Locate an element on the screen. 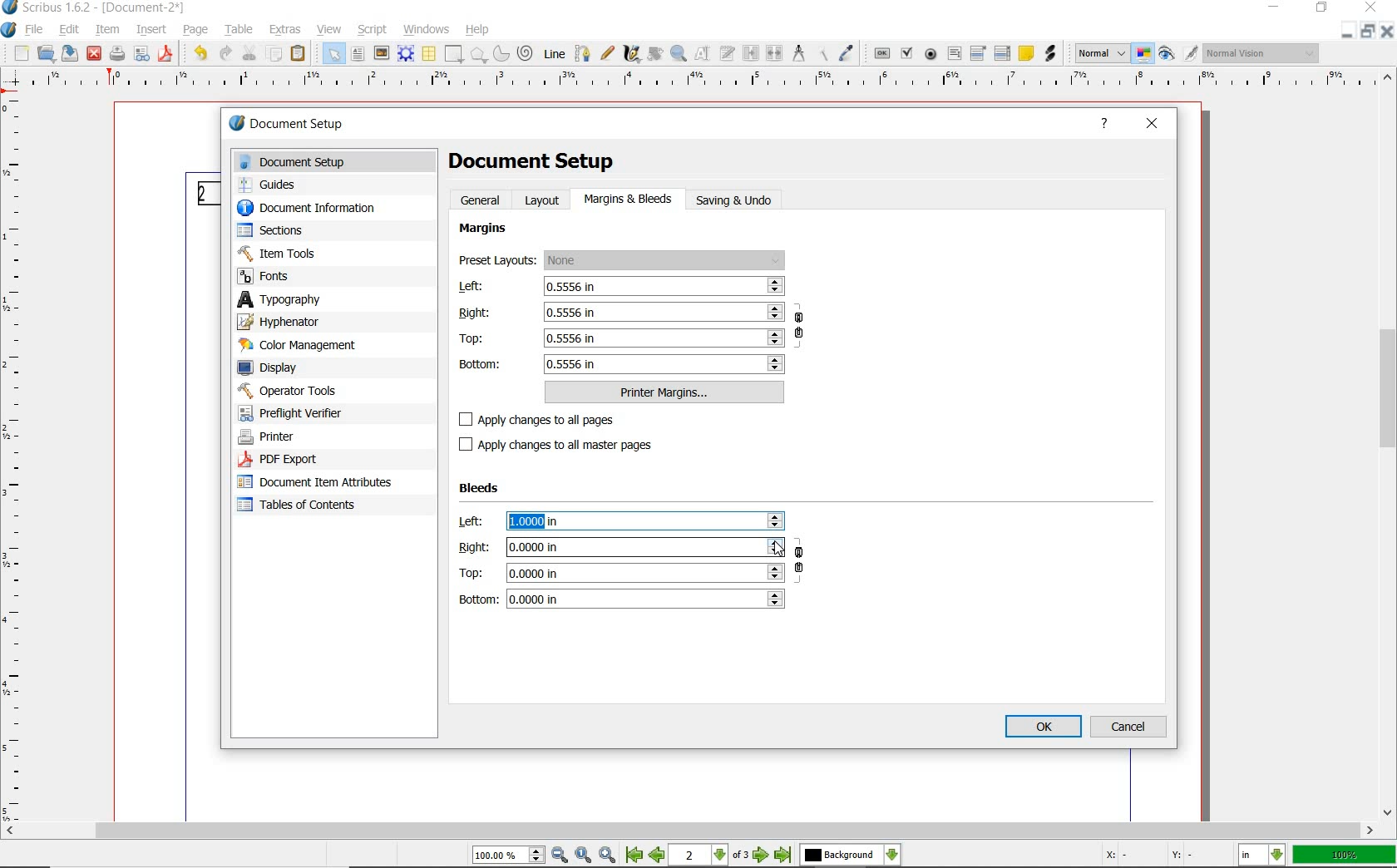 The image size is (1397, 868). preview mode is located at coordinates (1167, 55).